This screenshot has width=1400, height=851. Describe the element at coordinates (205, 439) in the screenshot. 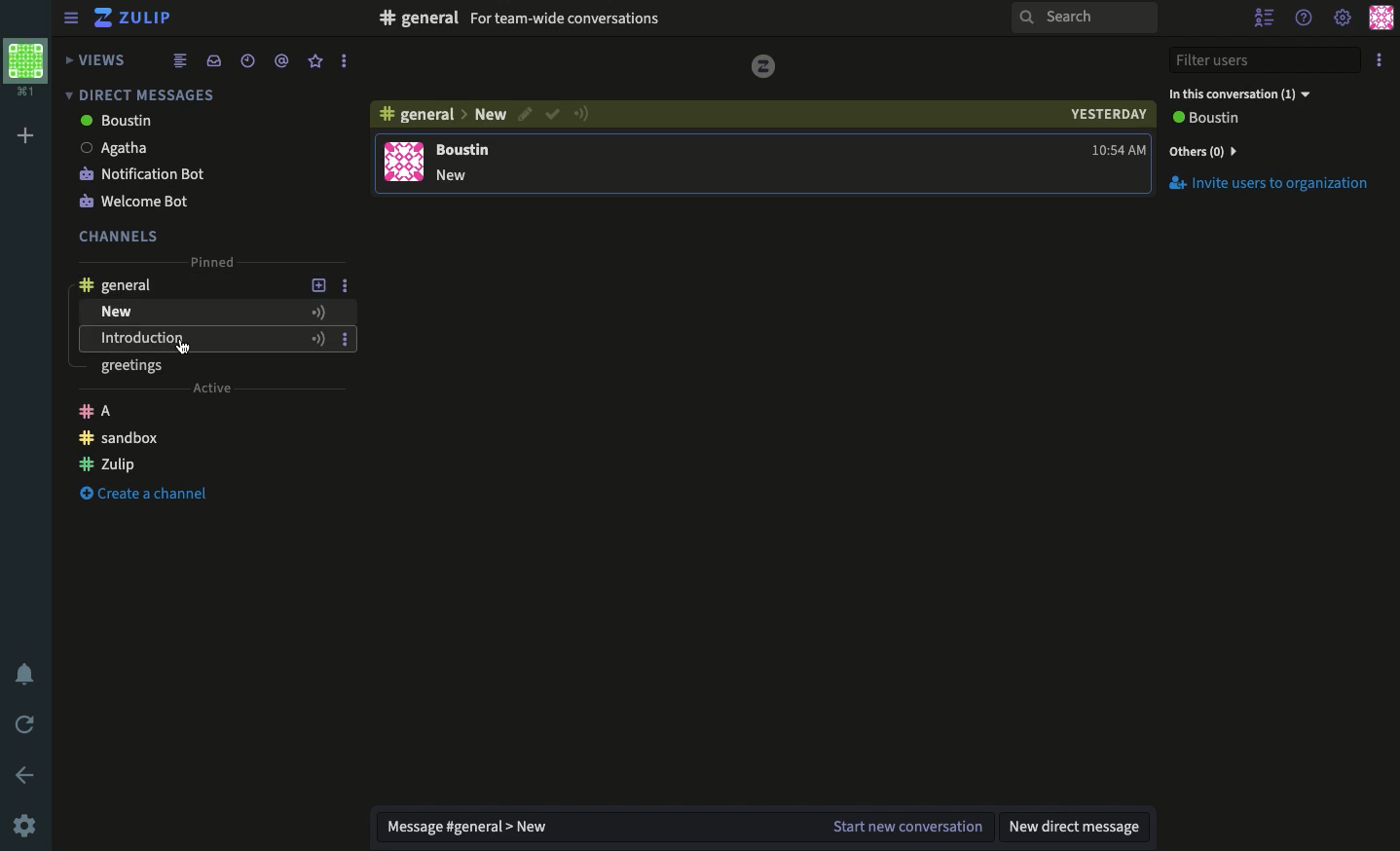

I see `Chanel sandbox` at that location.